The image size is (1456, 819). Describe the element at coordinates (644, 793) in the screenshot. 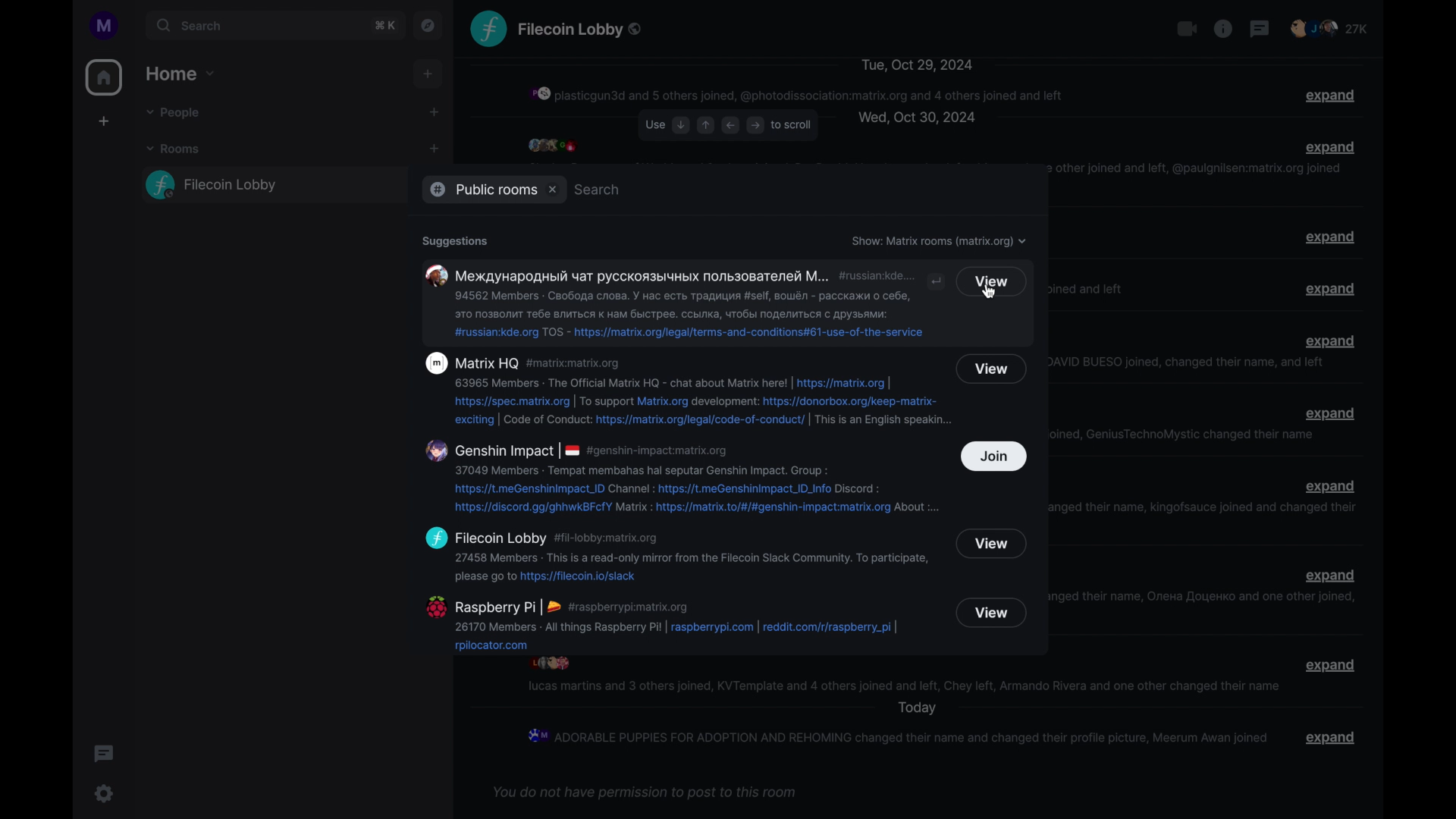

I see `you do not have permission to post to this room` at that location.